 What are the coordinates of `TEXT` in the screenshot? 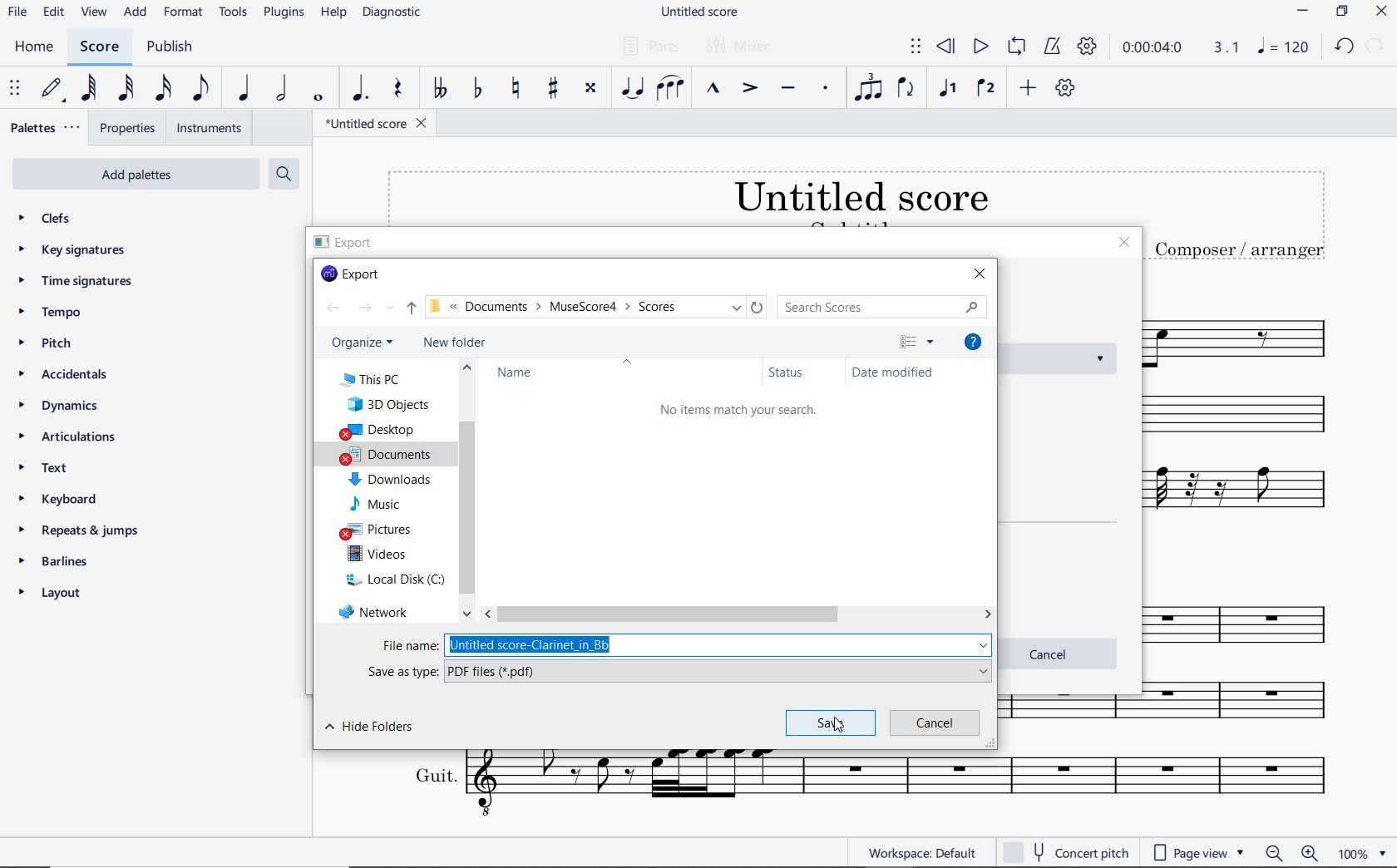 It's located at (53, 470).